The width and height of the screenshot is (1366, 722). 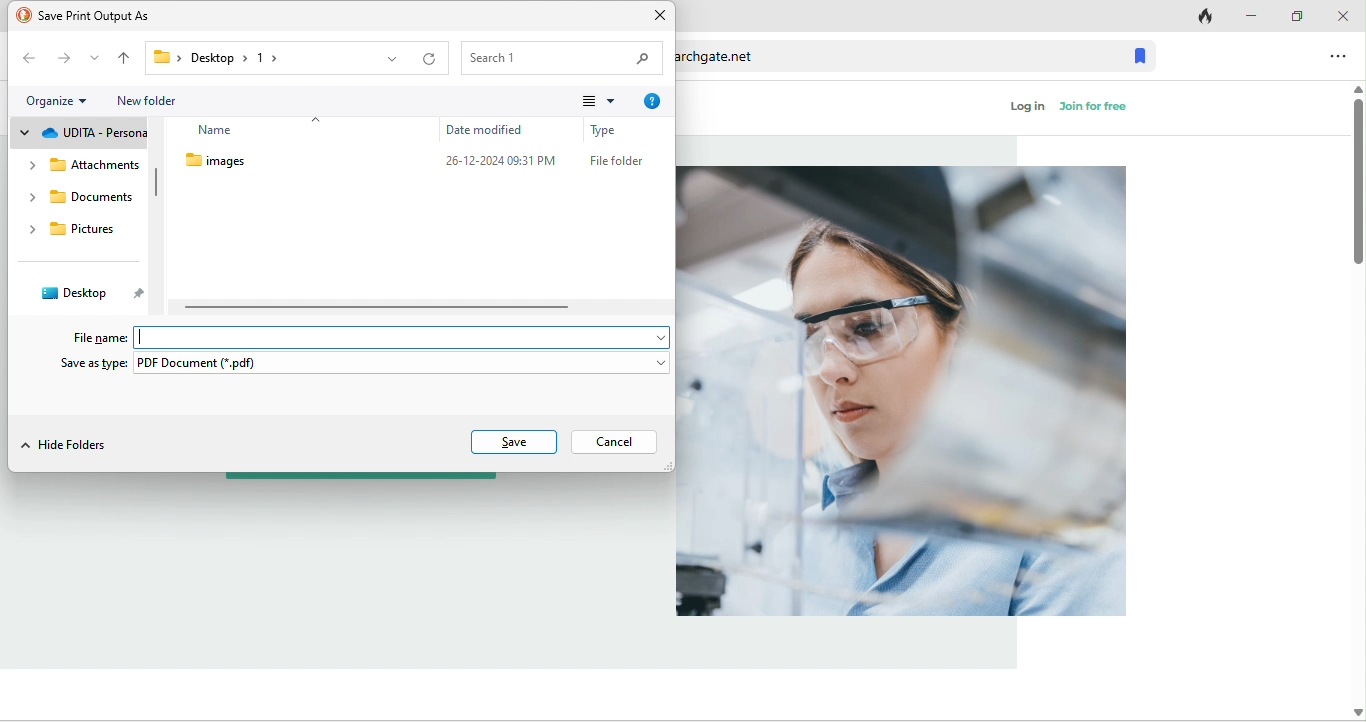 What do you see at coordinates (89, 295) in the screenshot?
I see `desktop` at bounding box center [89, 295].